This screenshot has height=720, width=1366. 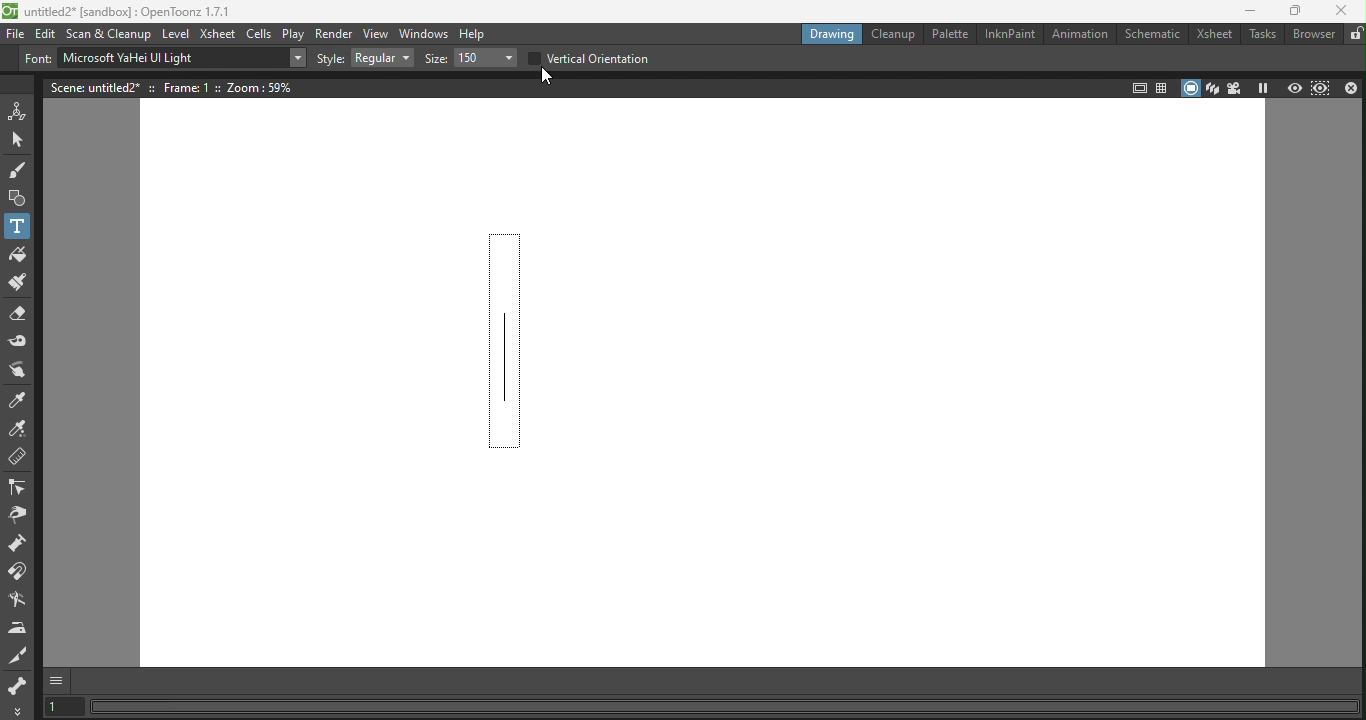 I want to click on Tape tool, so click(x=18, y=341).